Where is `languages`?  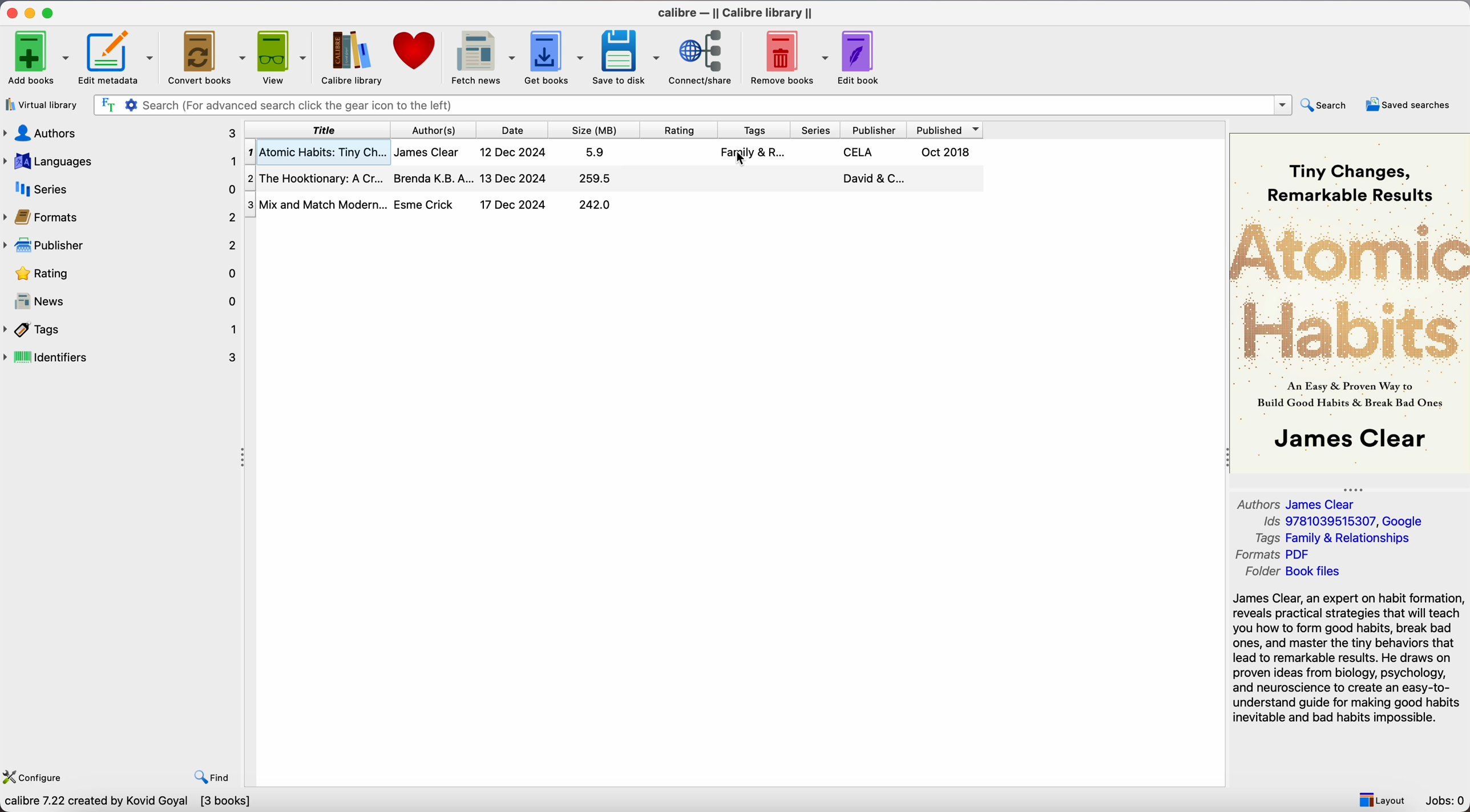 languages is located at coordinates (120, 161).